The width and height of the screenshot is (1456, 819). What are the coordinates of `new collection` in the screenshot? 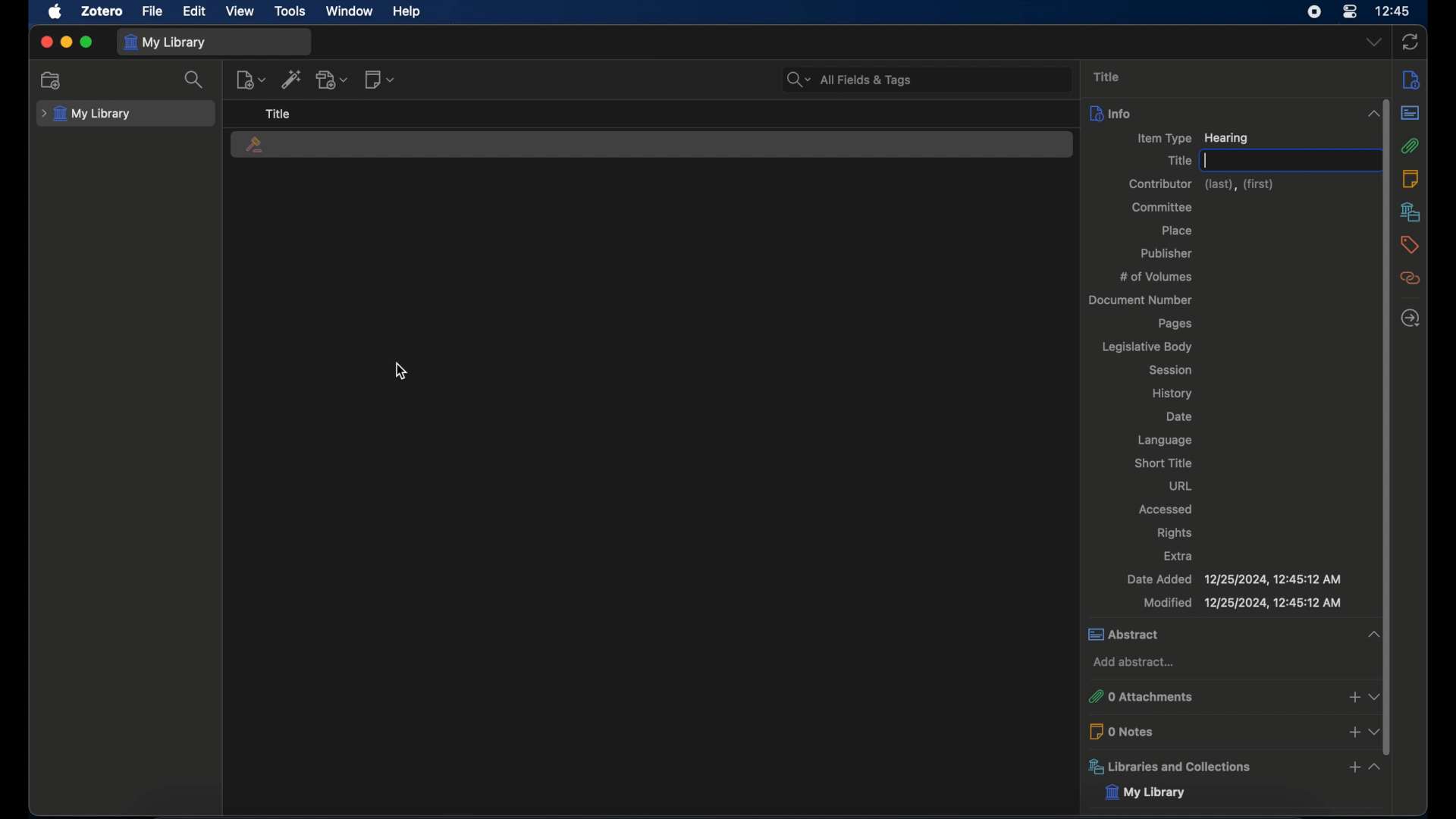 It's located at (53, 80).